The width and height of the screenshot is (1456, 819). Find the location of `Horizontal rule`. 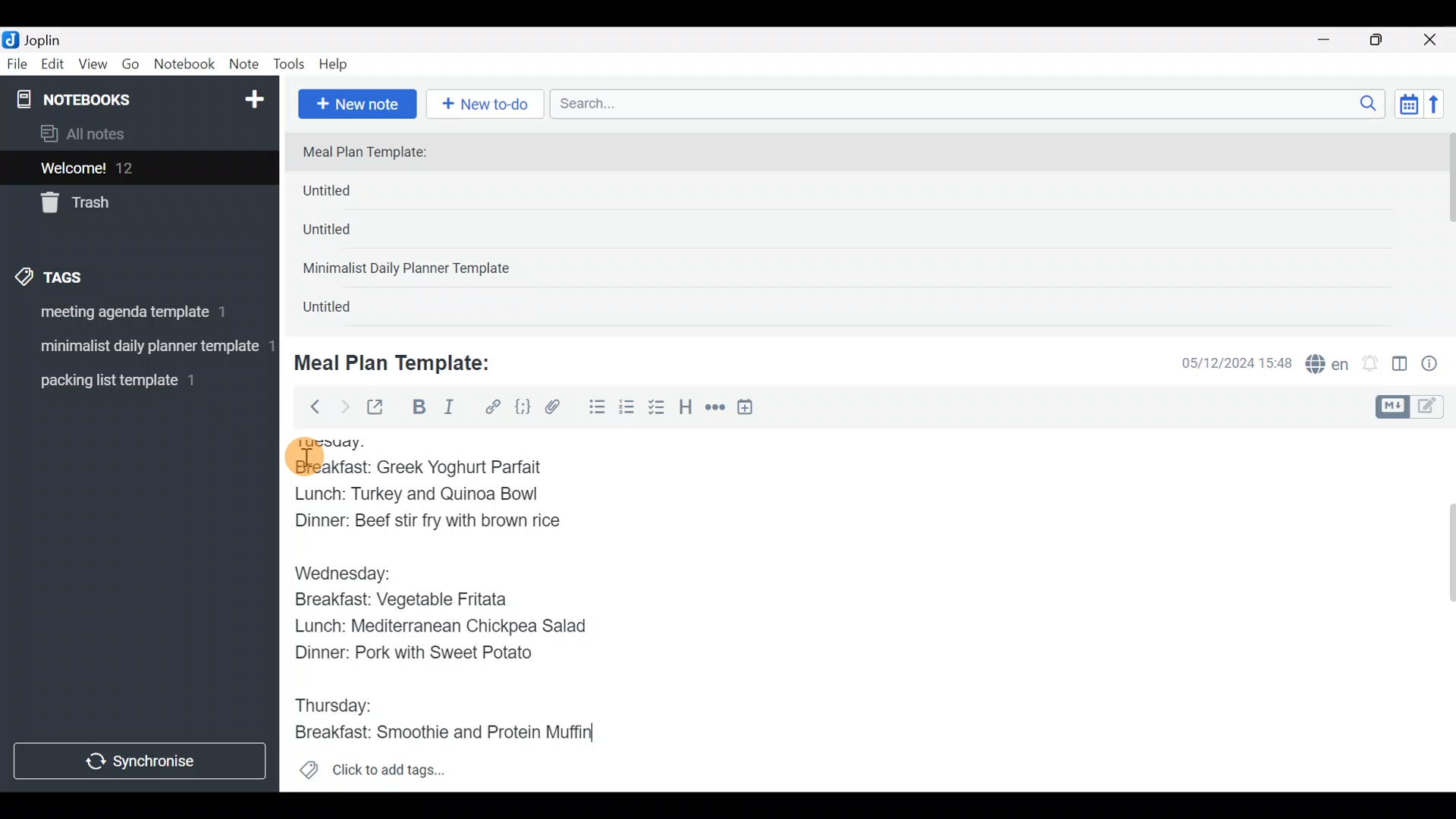

Horizontal rule is located at coordinates (715, 409).